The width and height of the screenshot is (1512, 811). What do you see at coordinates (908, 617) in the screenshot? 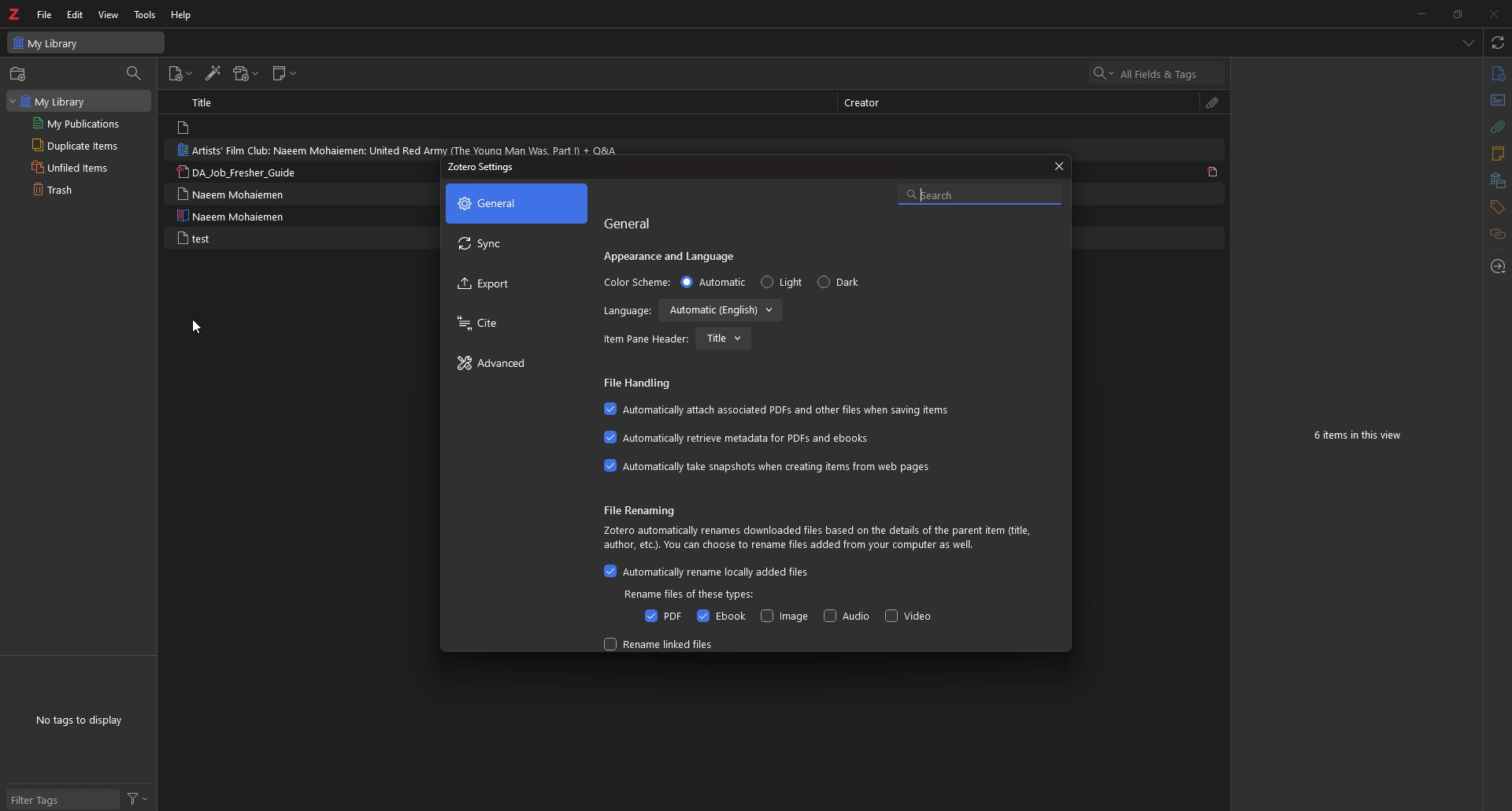
I see `video` at bounding box center [908, 617].